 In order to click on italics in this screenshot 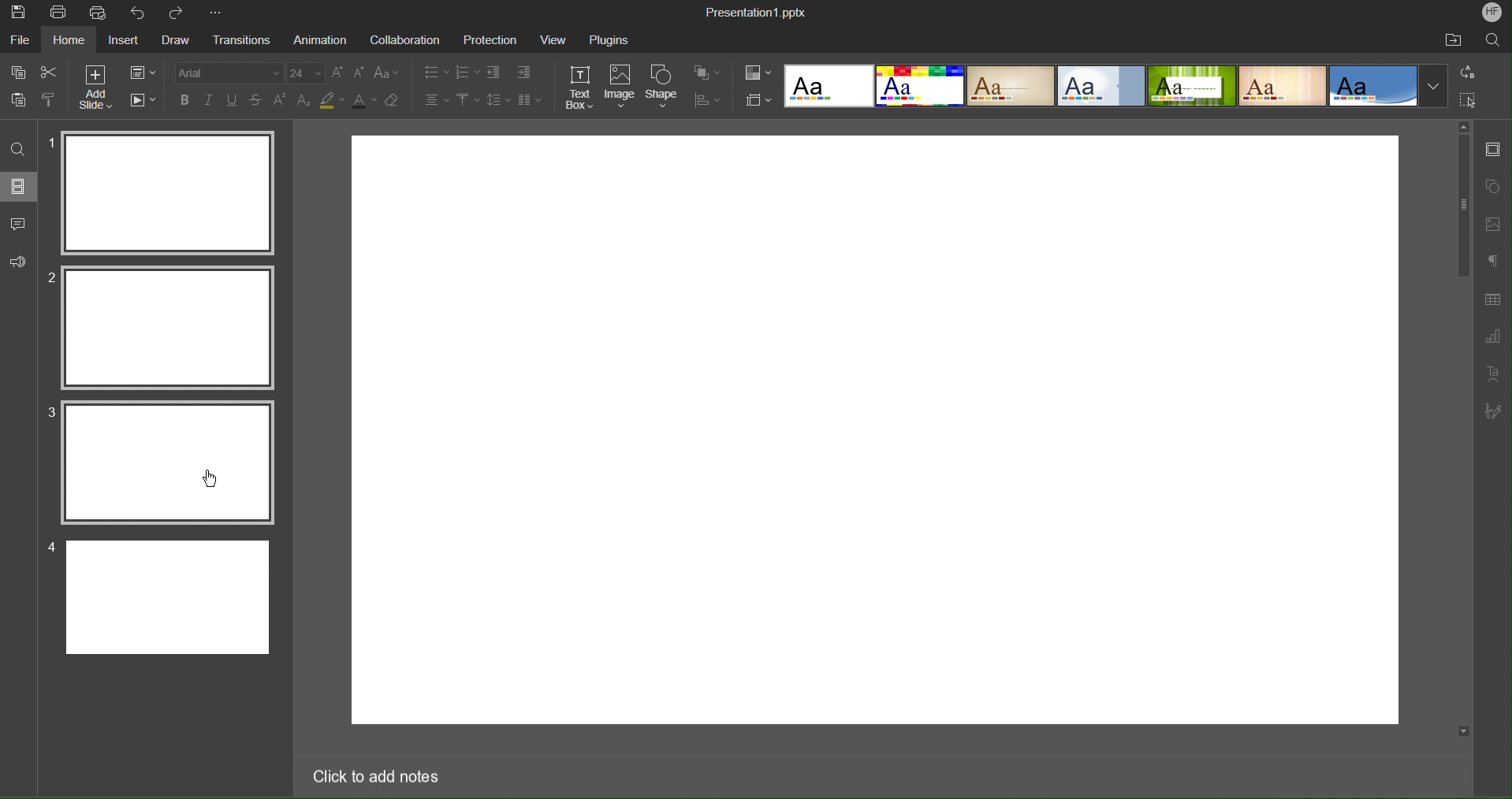, I will do `click(207, 98)`.